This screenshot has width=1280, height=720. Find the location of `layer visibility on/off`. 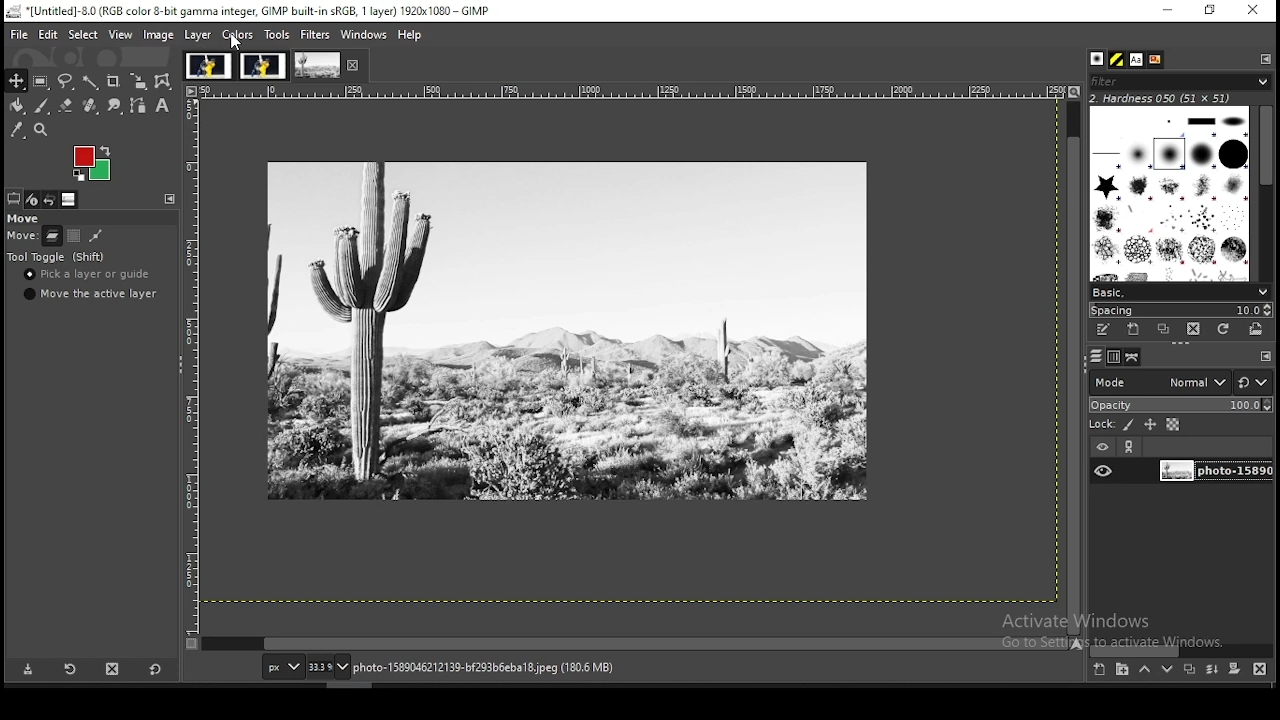

layer visibility on/off is located at coordinates (1103, 472).